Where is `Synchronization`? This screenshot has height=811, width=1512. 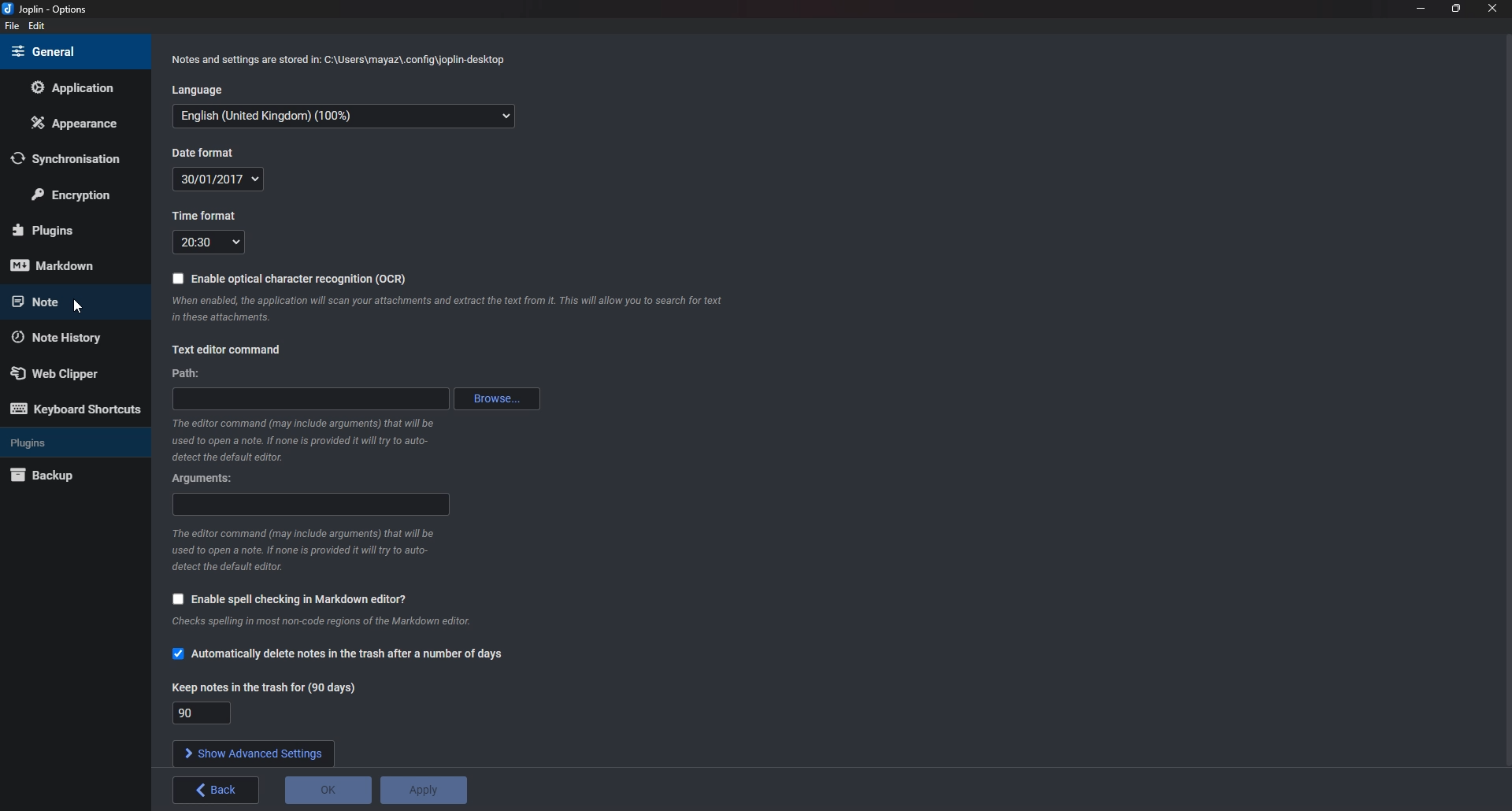 Synchronization is located at coordinates (75, 160).